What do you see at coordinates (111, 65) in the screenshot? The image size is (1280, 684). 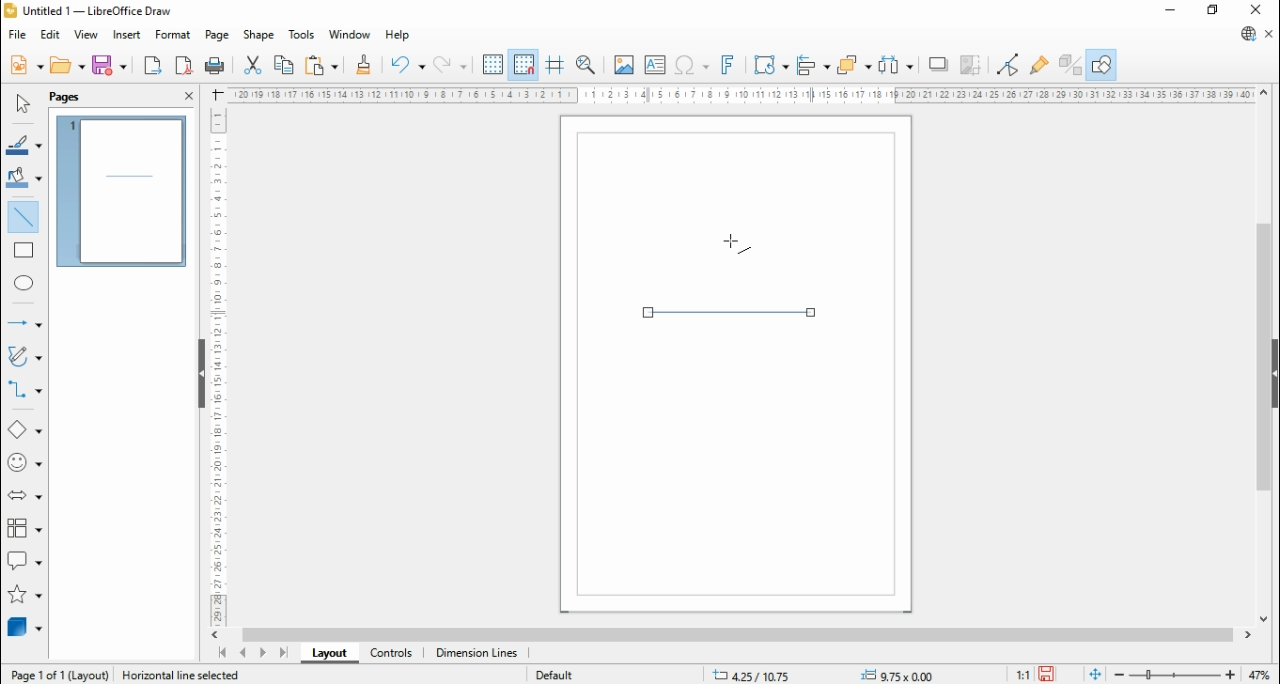 I see `save` at bounding box center [111, 65].